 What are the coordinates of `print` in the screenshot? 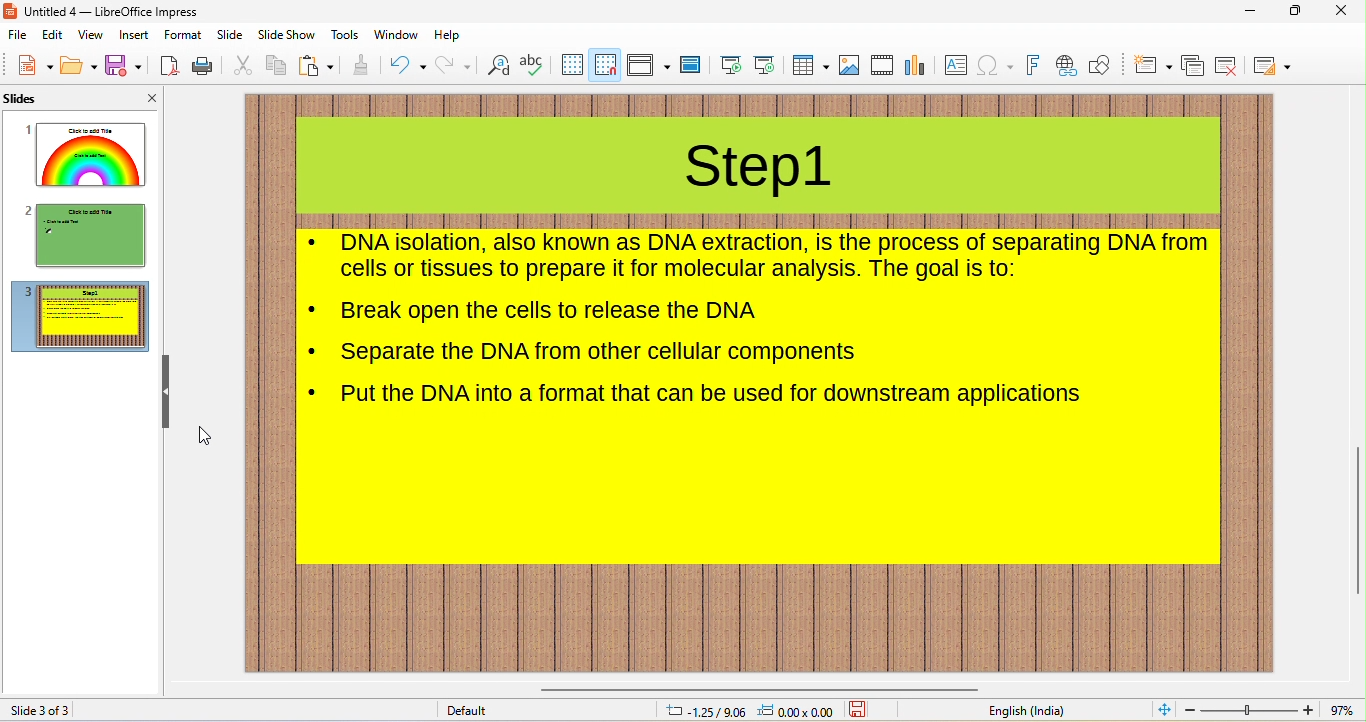 It's located at (201, 67).